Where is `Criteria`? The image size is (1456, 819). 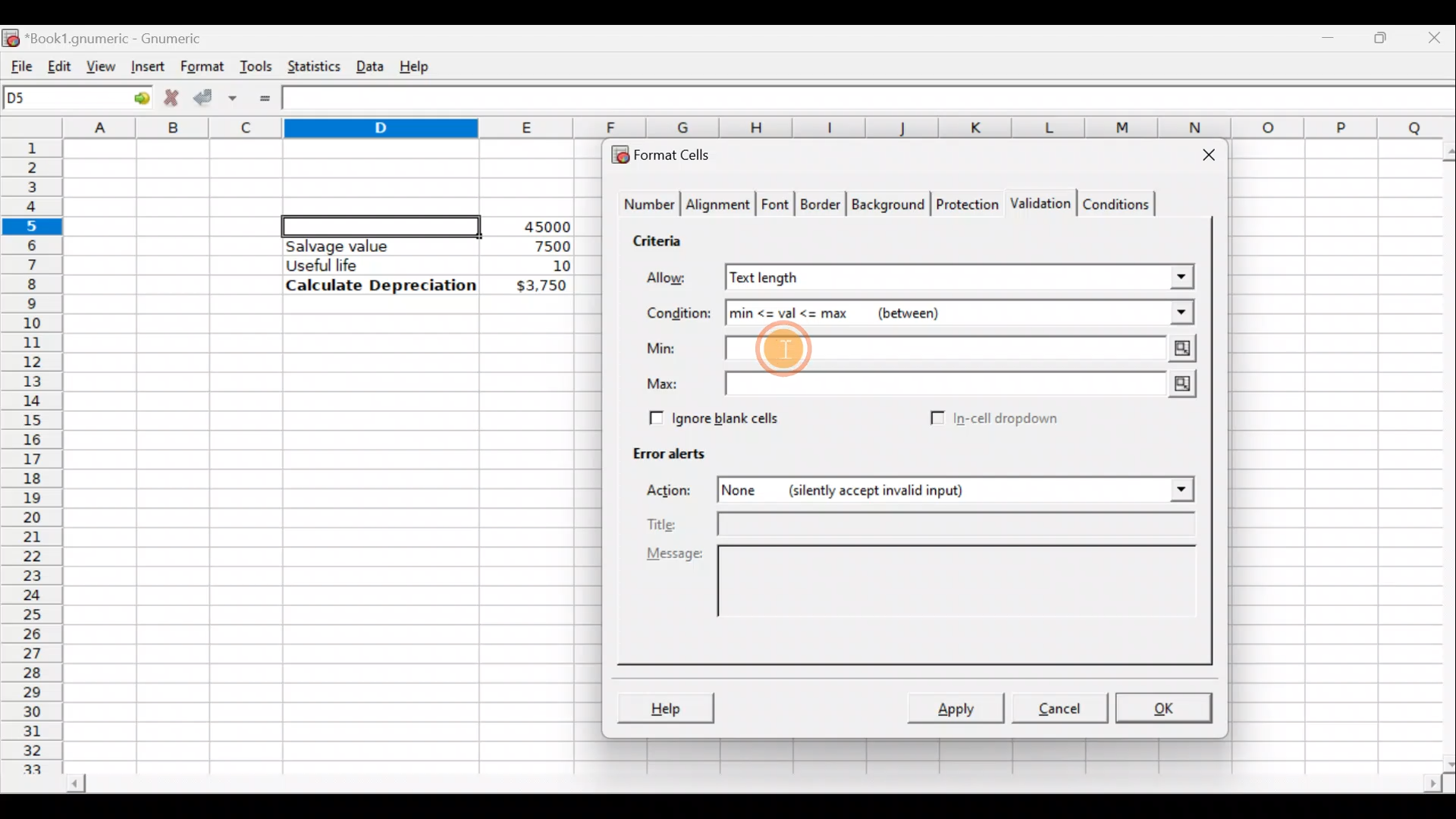
Criteria is located at coordinates (663, 238).